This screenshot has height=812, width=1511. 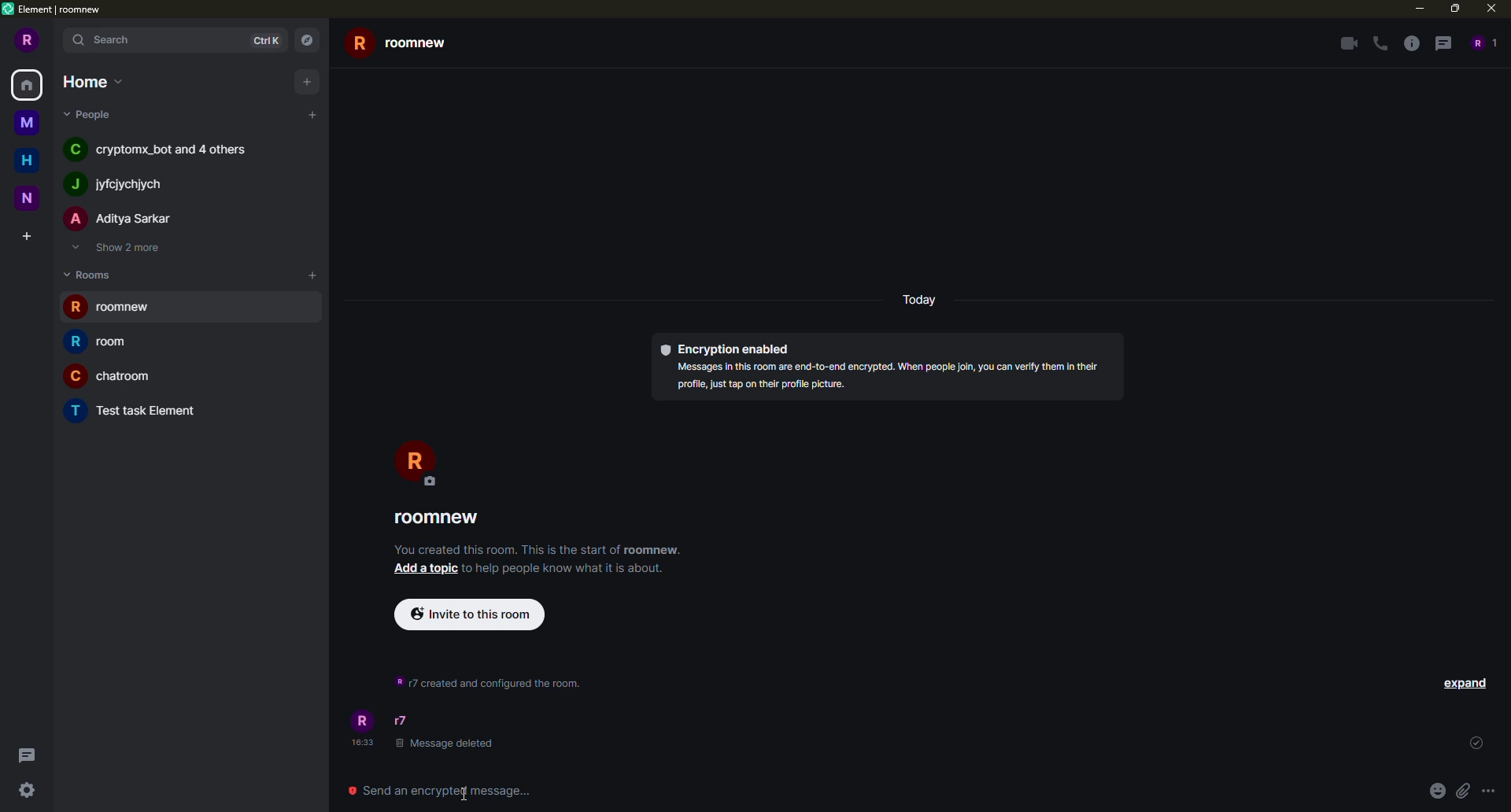 What do you see at coordinates (1410, 43) in the screenshot?
I see `info` at bounding box center [1410, 43].